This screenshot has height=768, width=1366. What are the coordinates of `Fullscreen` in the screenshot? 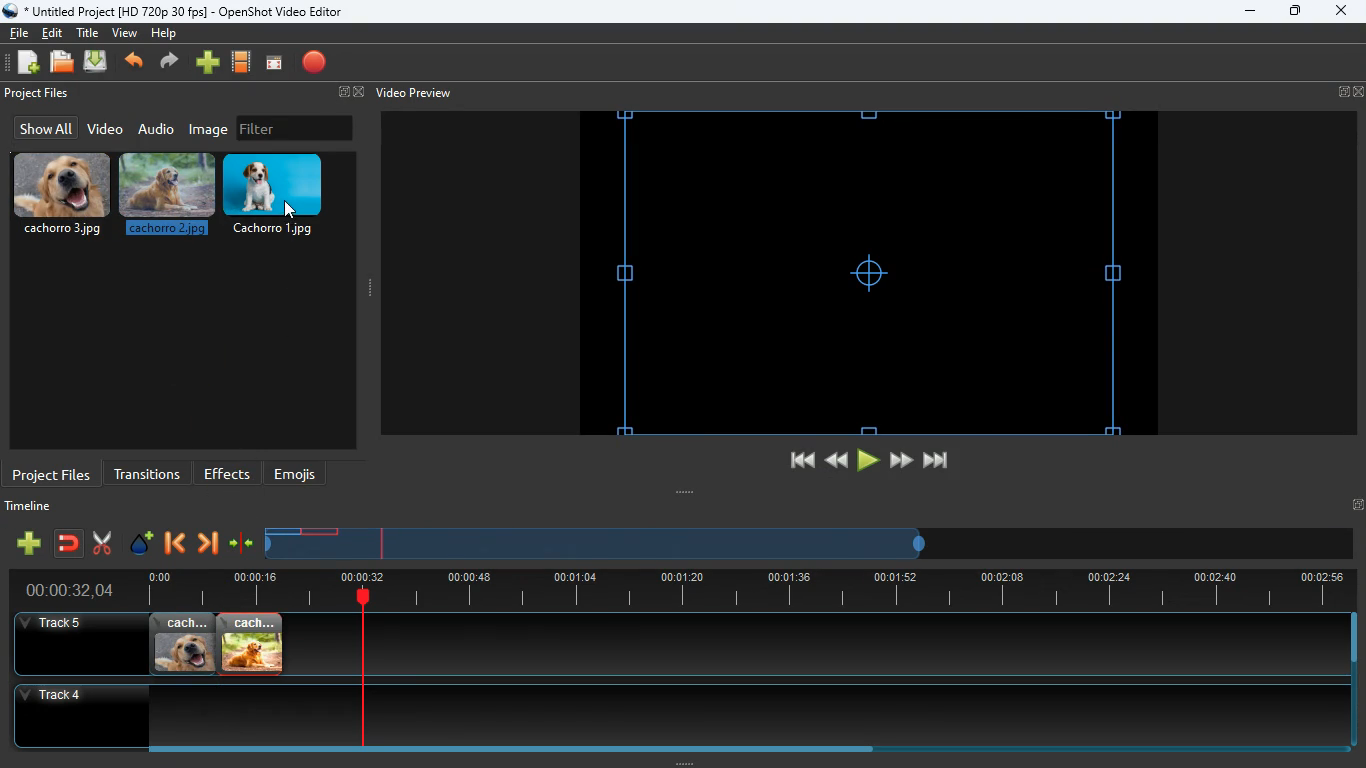 It's located at (1357, 504).